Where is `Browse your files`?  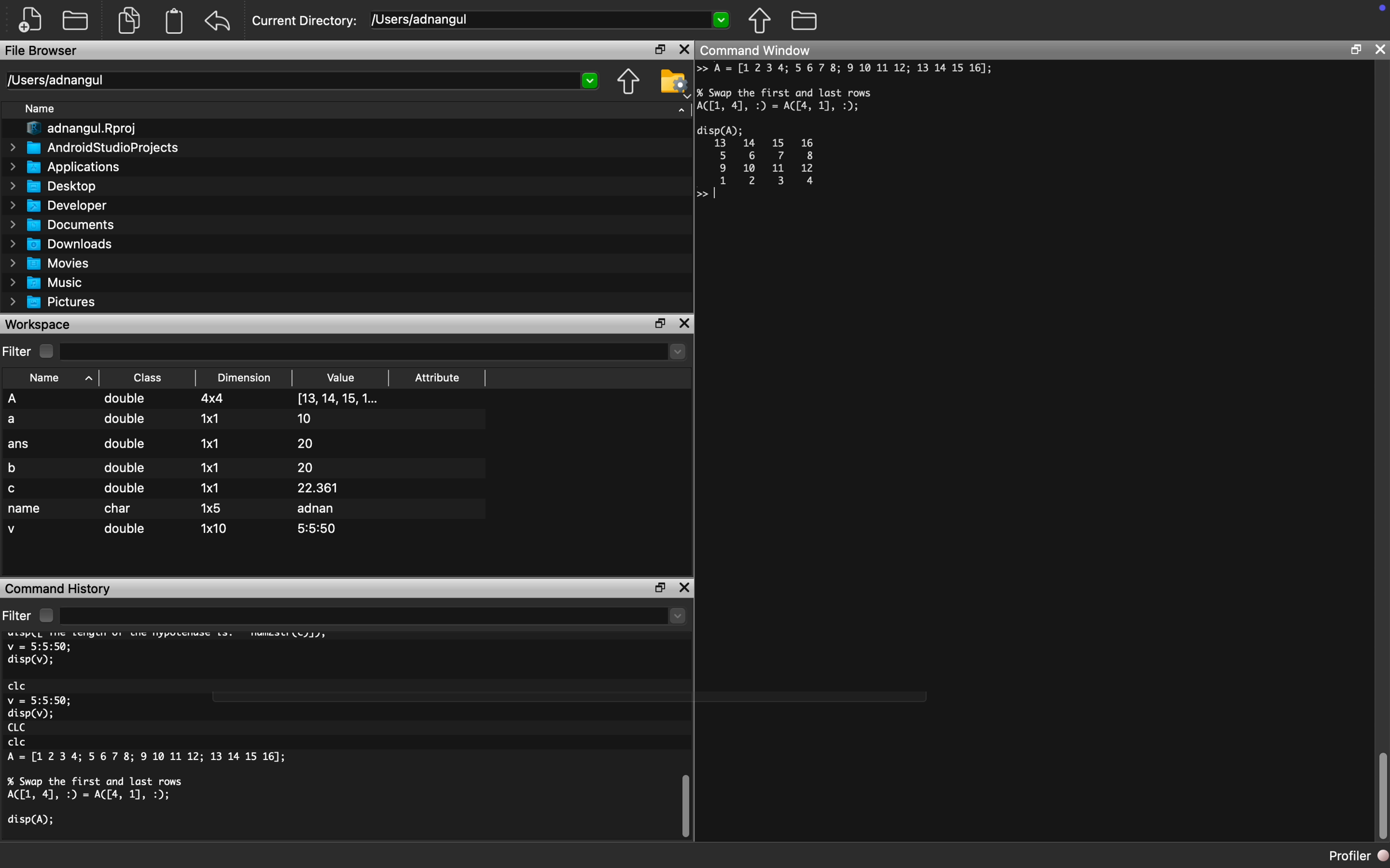
Browse your files is located at coordinates (673, 80).